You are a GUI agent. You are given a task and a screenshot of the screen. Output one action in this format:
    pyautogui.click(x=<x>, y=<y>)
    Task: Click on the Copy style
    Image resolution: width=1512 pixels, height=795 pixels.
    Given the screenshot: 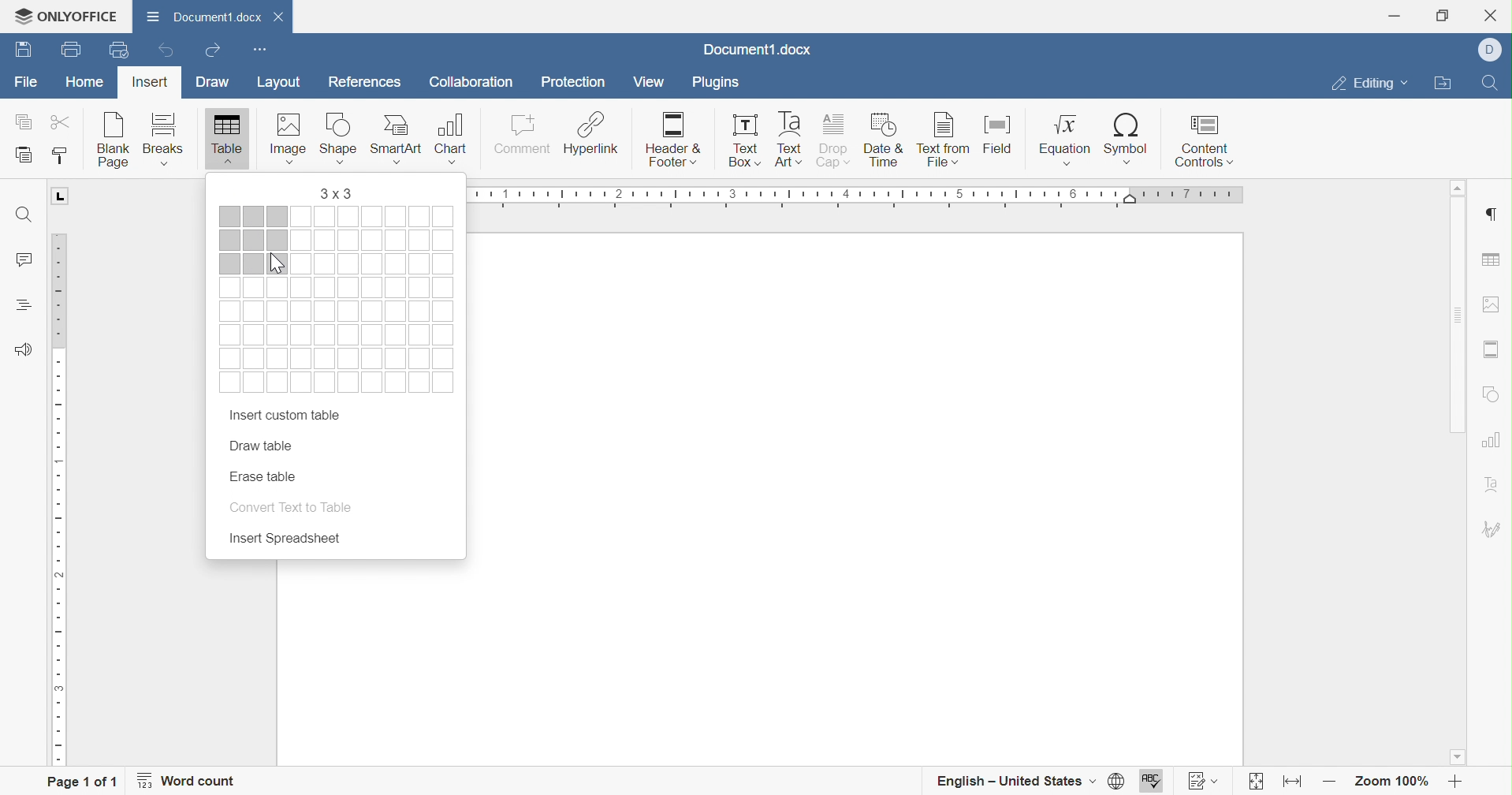 What is the action you would take?
    pyautogui.click(x=61, y=157)
    